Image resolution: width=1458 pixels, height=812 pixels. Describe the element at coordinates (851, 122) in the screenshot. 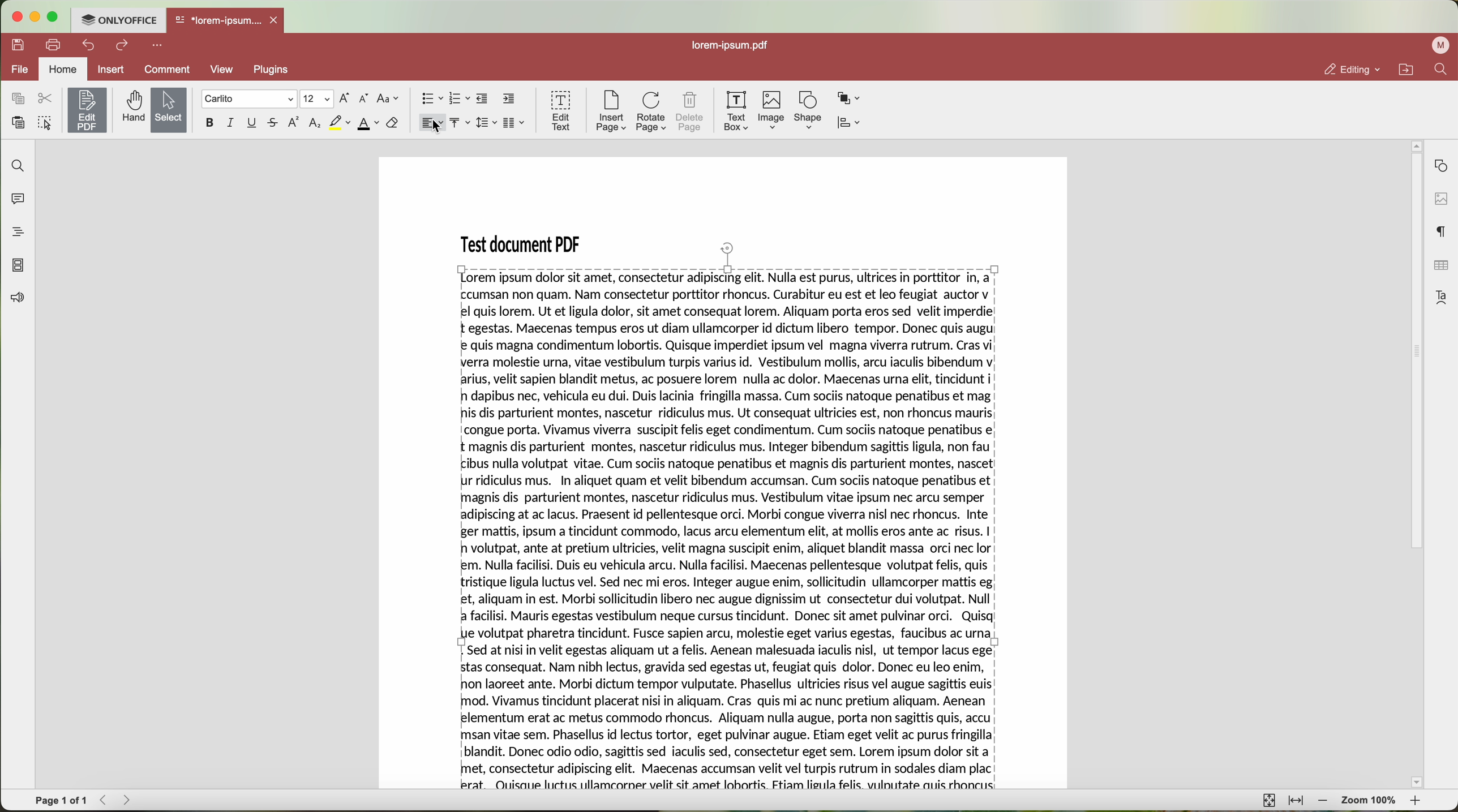

I see `align shape` at that location.